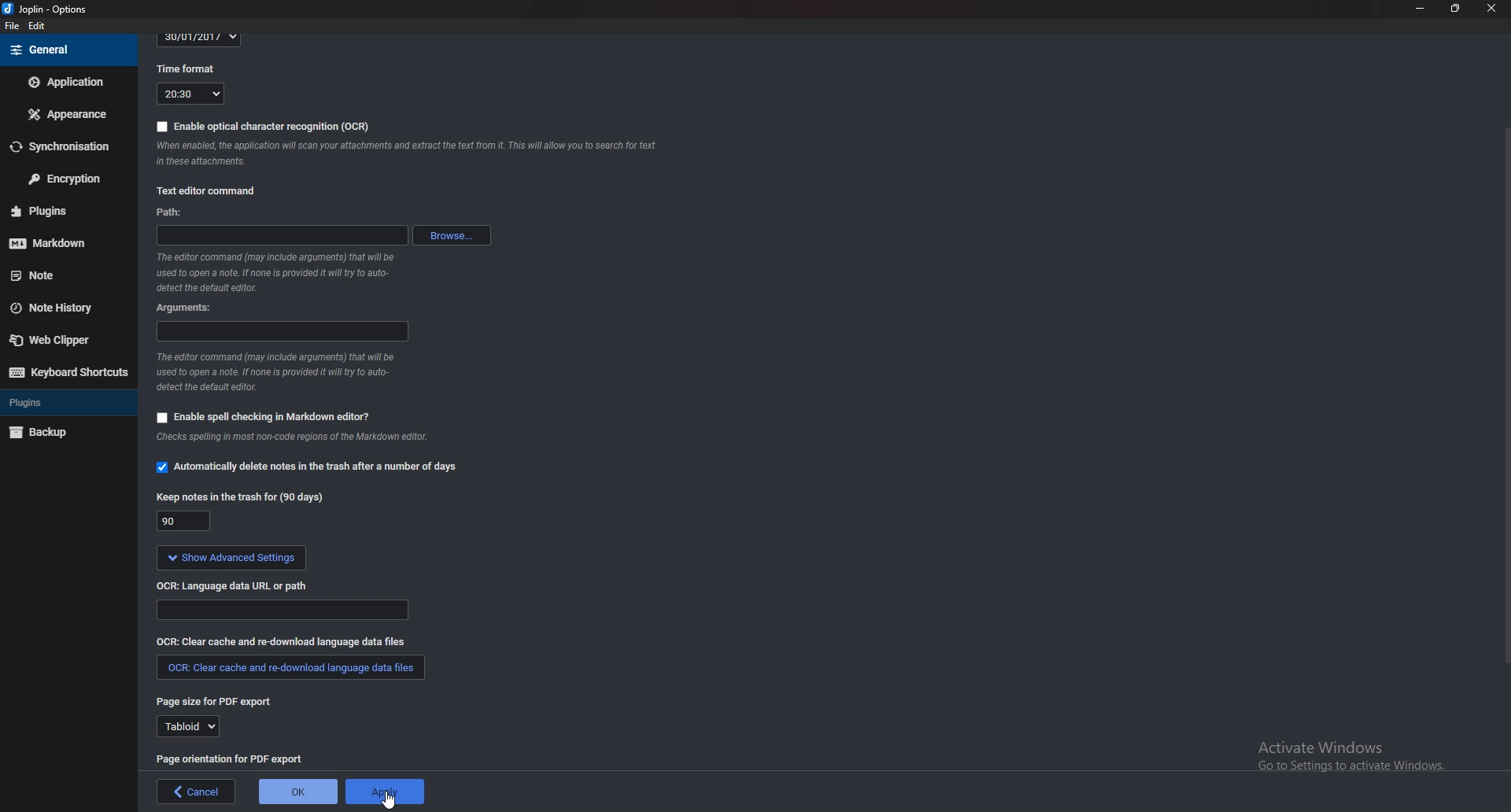  What do you see at coordinates (61, 210) in the screenshot?
I see `Plugins` at bounding box center [61, 210].